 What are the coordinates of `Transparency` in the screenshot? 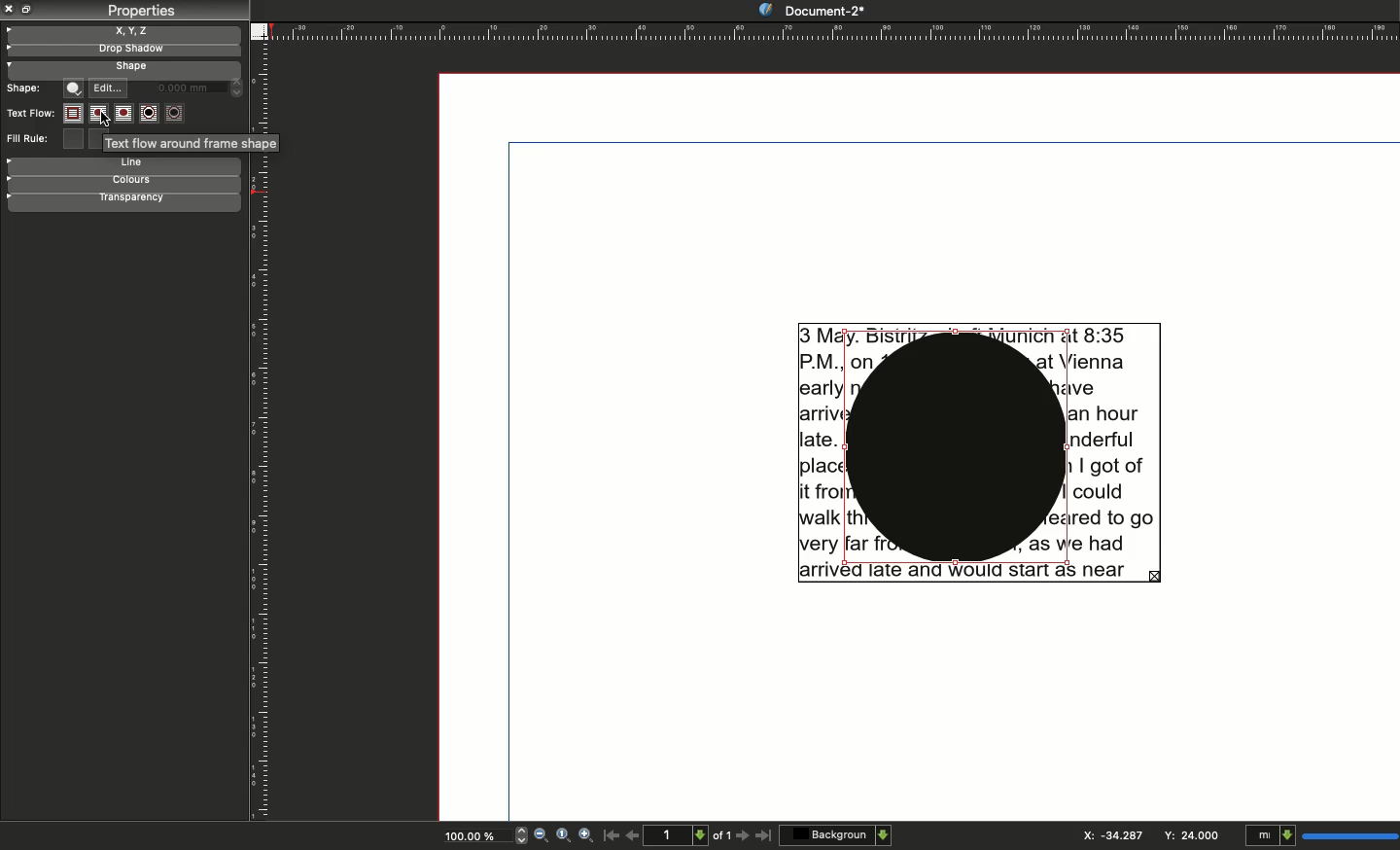 It's located at (142, 199).